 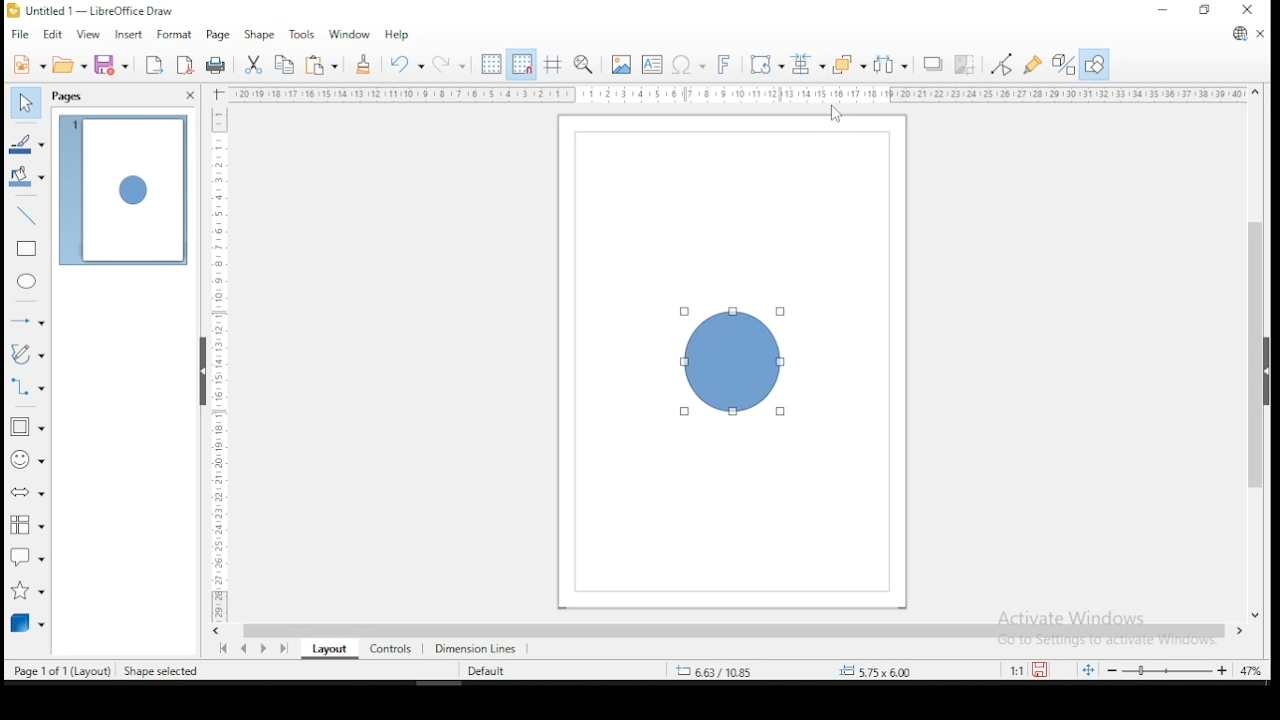 What do you see at coordinates (27, 622) in the screenshot?
I see `3D objects` at bounding box center [27, 622].